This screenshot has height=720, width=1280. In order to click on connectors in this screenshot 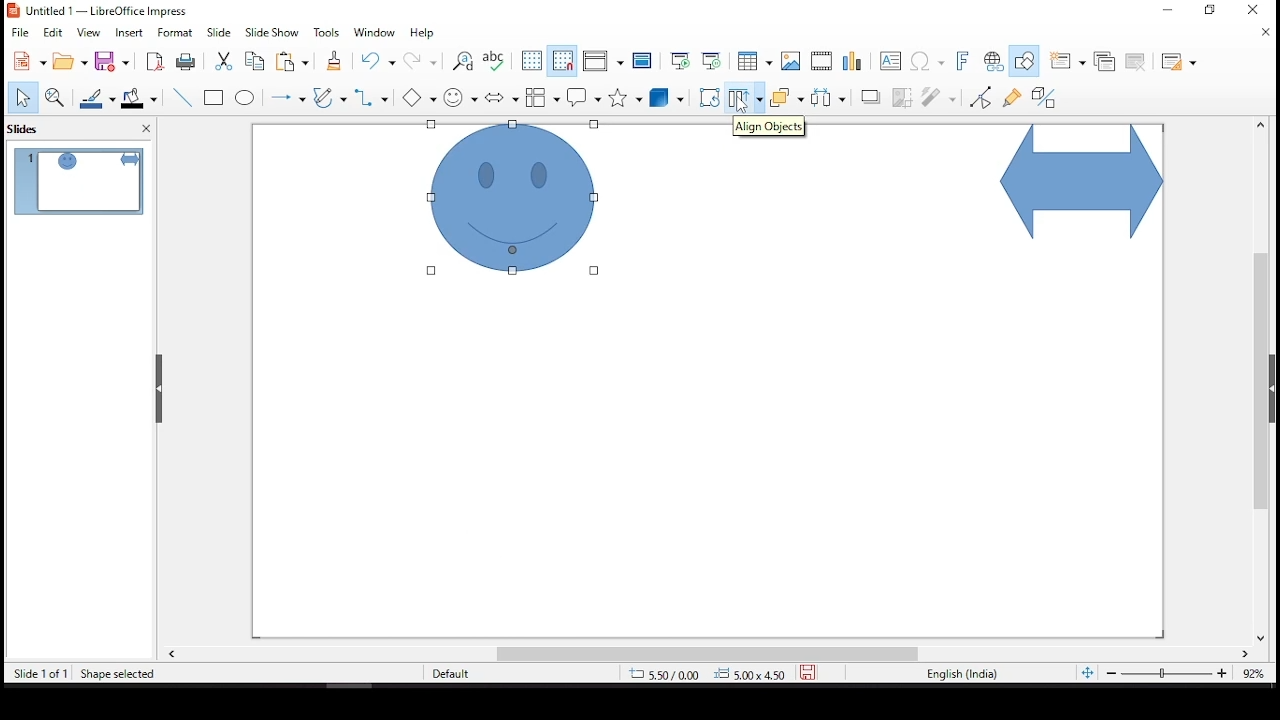, I will do `click(370, 97)`.